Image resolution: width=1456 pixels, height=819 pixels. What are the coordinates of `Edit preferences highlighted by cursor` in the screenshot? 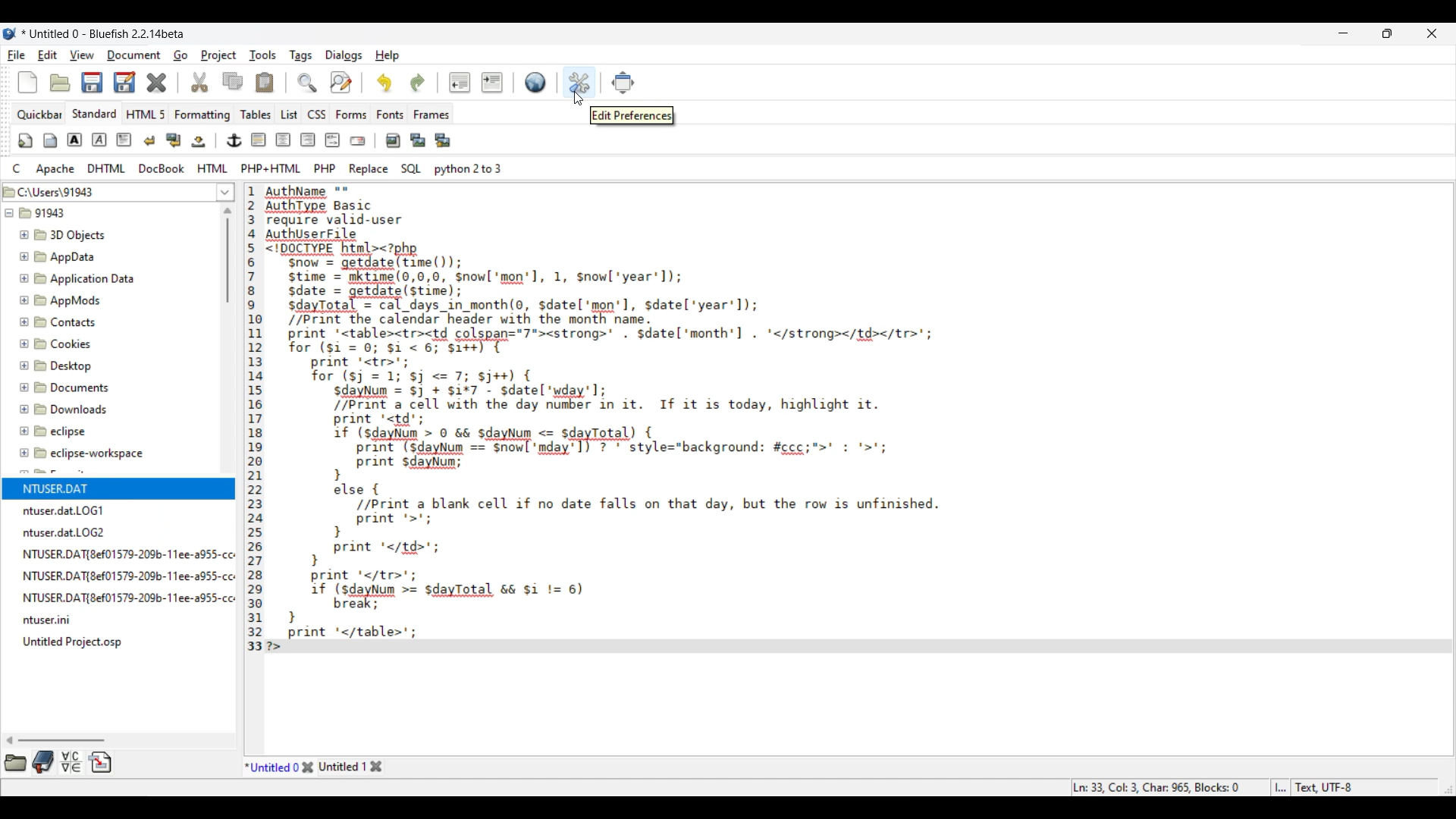 It's located at (580, 83).